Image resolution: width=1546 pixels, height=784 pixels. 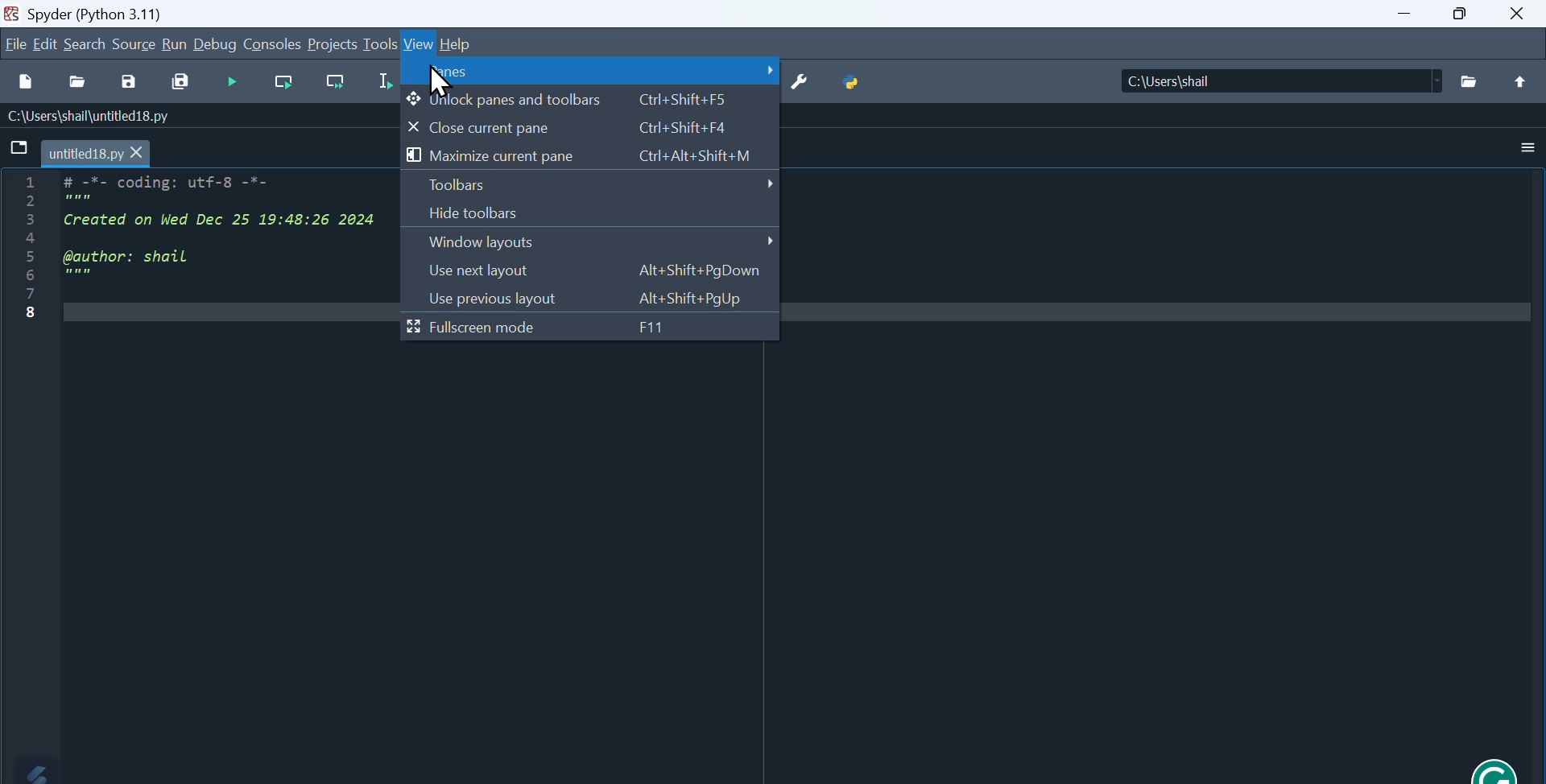 What do you see at coordinates (134, 45) in the screenshot?
I see `Source` at bounding box center [134, 45].